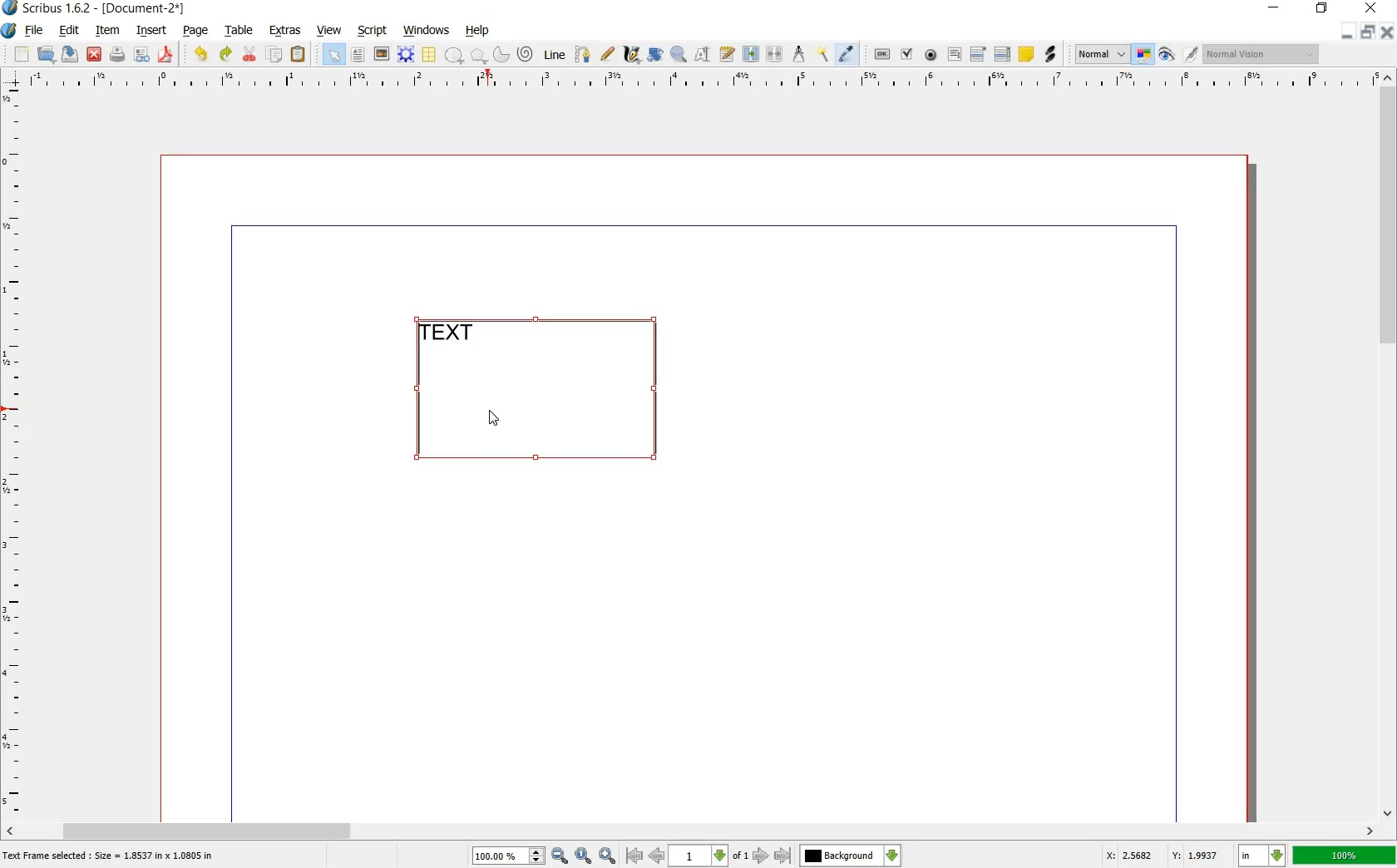 The height and width of the screenshot is (868, 1397). What do you see at coordinates (608, 856) in the screenshot?
I see `zoom in` at bounding box center [608, 856].